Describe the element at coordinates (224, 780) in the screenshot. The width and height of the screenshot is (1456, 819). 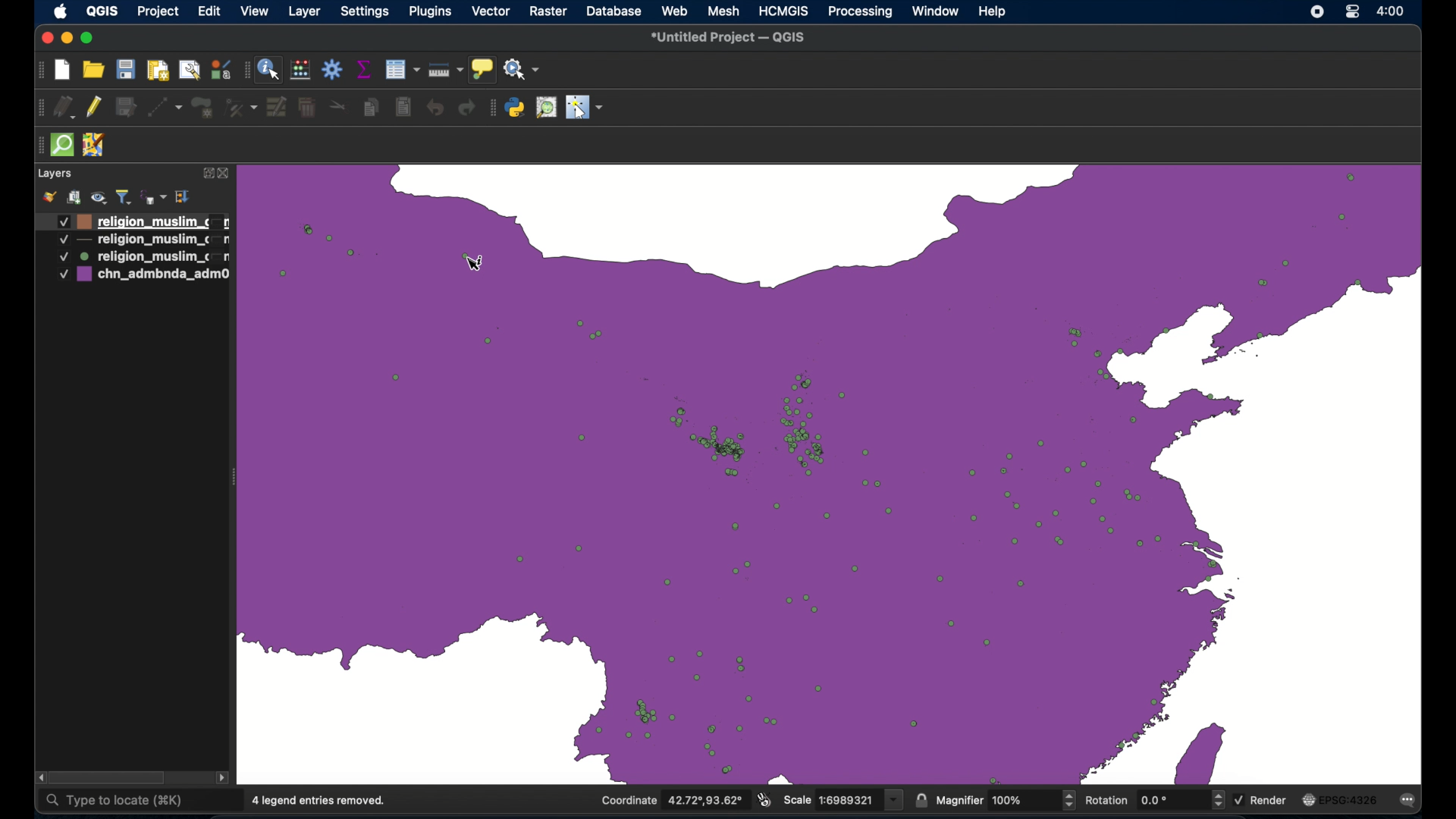
I see `scroll right arrow` at that location.